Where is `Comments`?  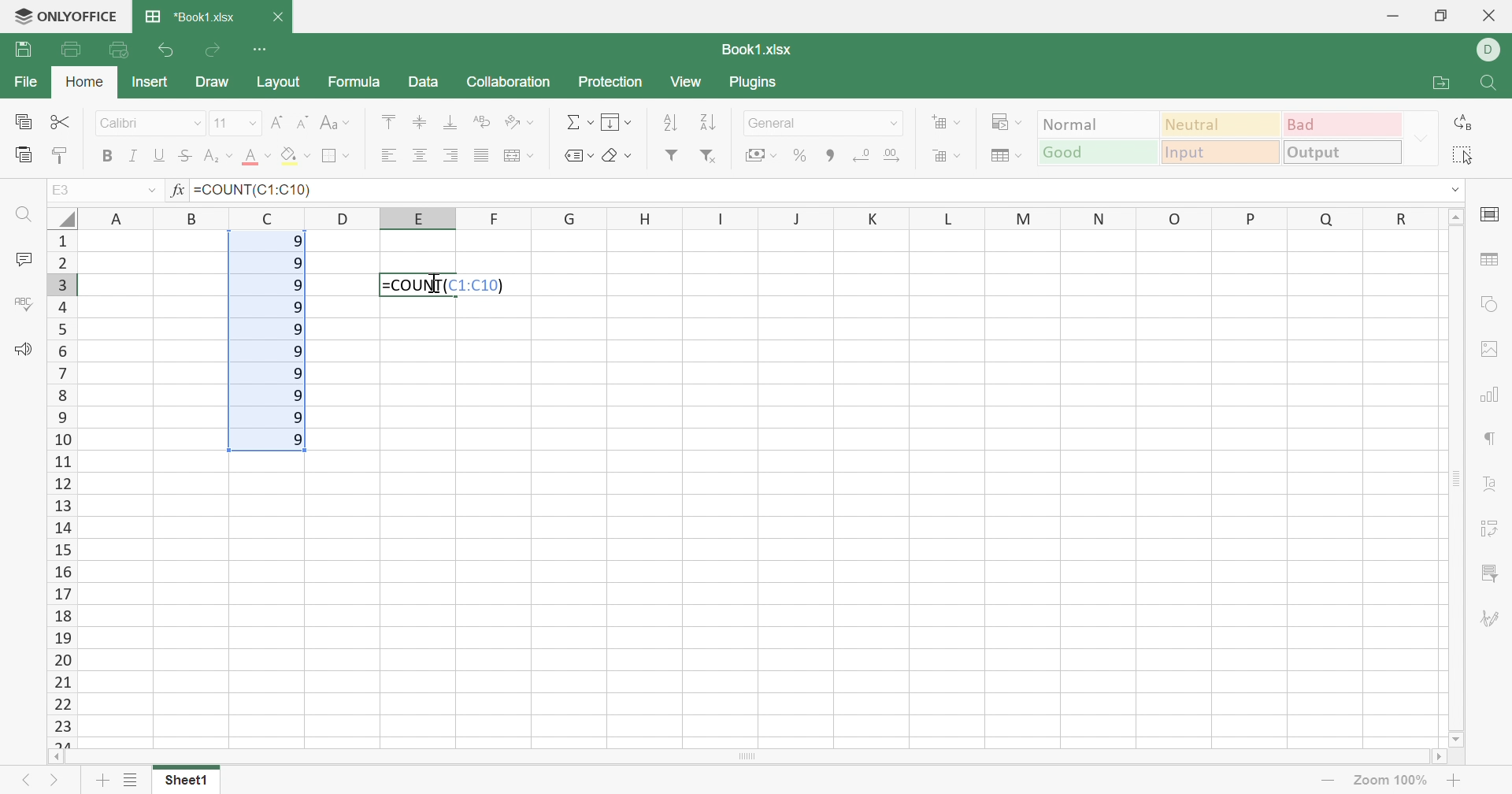 Comments is located at coordinates (25, 258).